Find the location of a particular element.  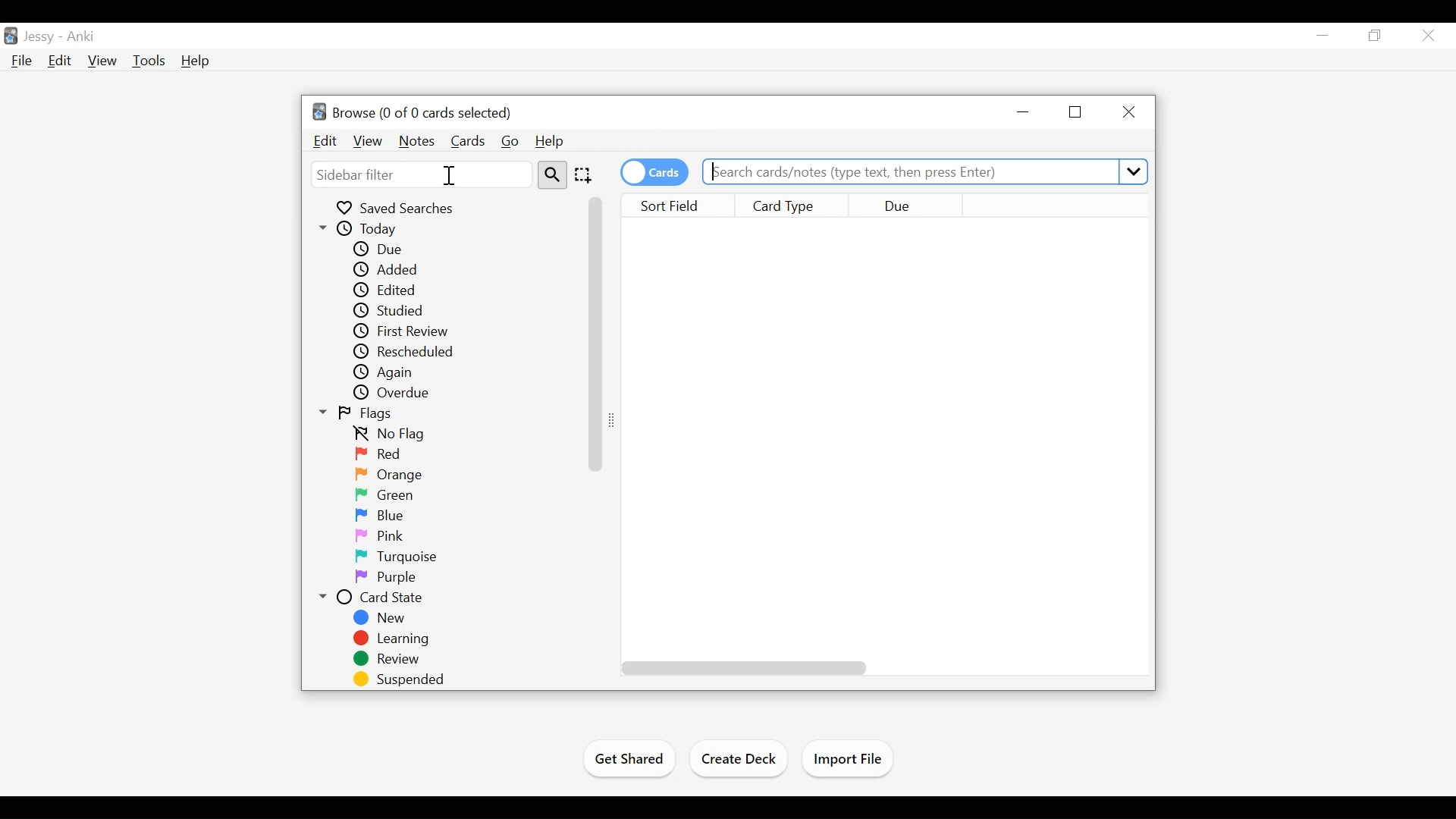

New is located at coordinates (381, 618).